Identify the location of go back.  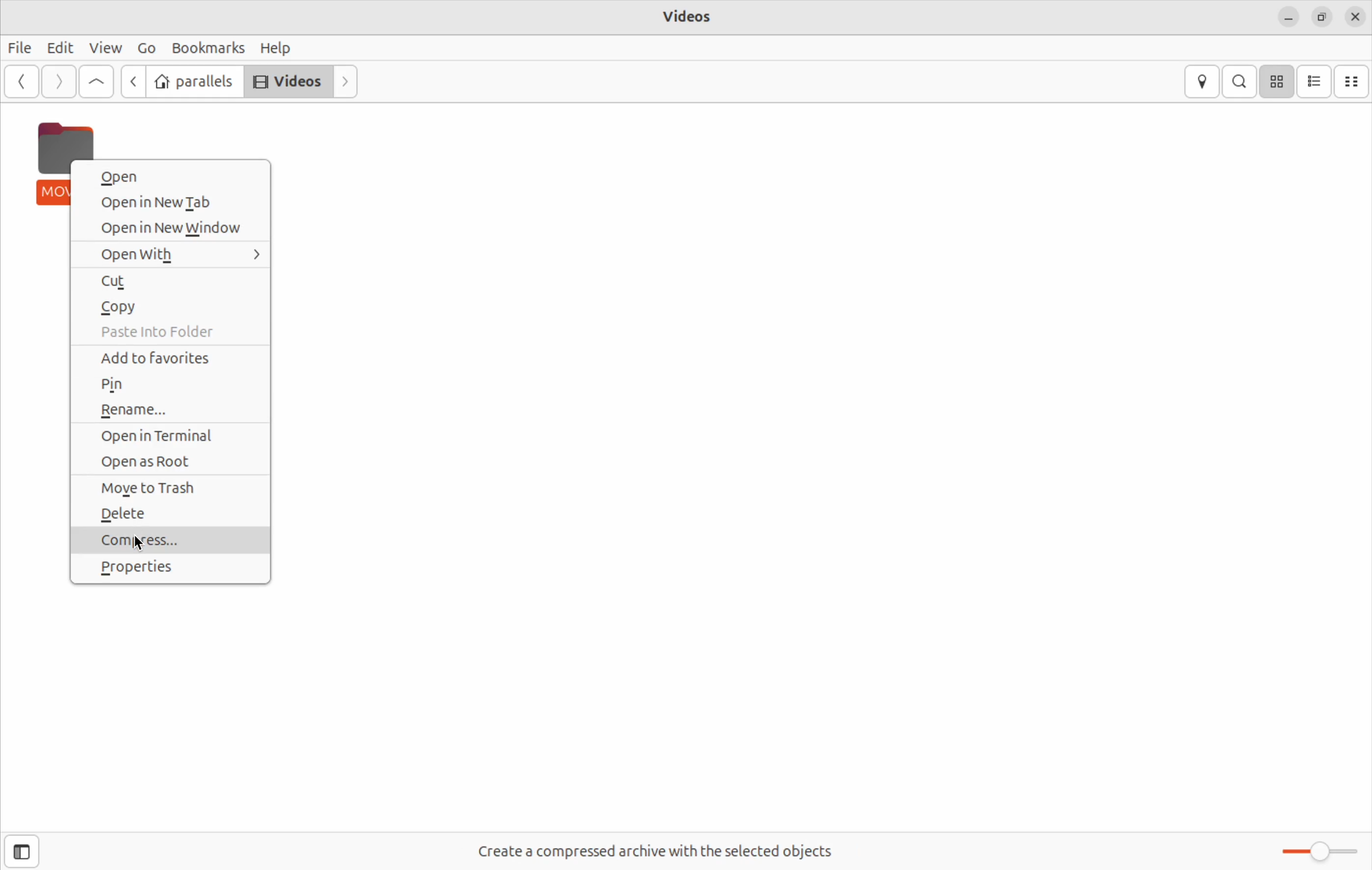
(132, 81).